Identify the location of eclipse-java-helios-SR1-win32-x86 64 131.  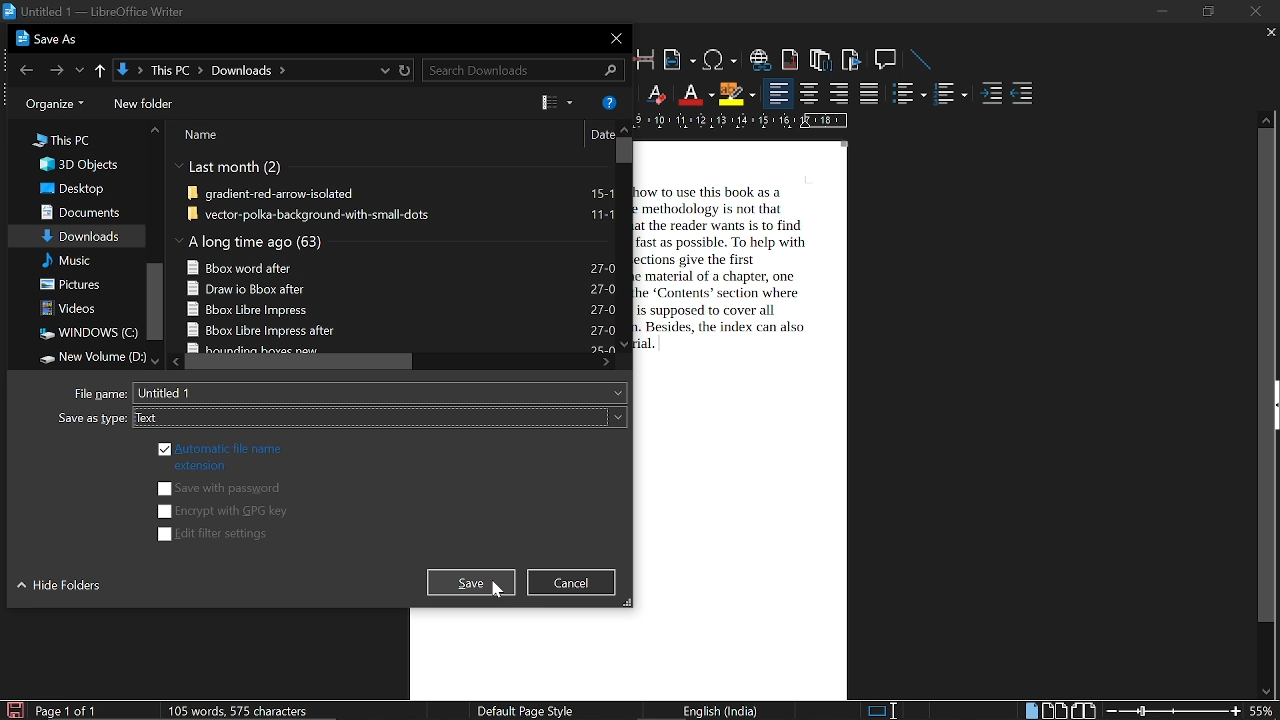
(400, 266).